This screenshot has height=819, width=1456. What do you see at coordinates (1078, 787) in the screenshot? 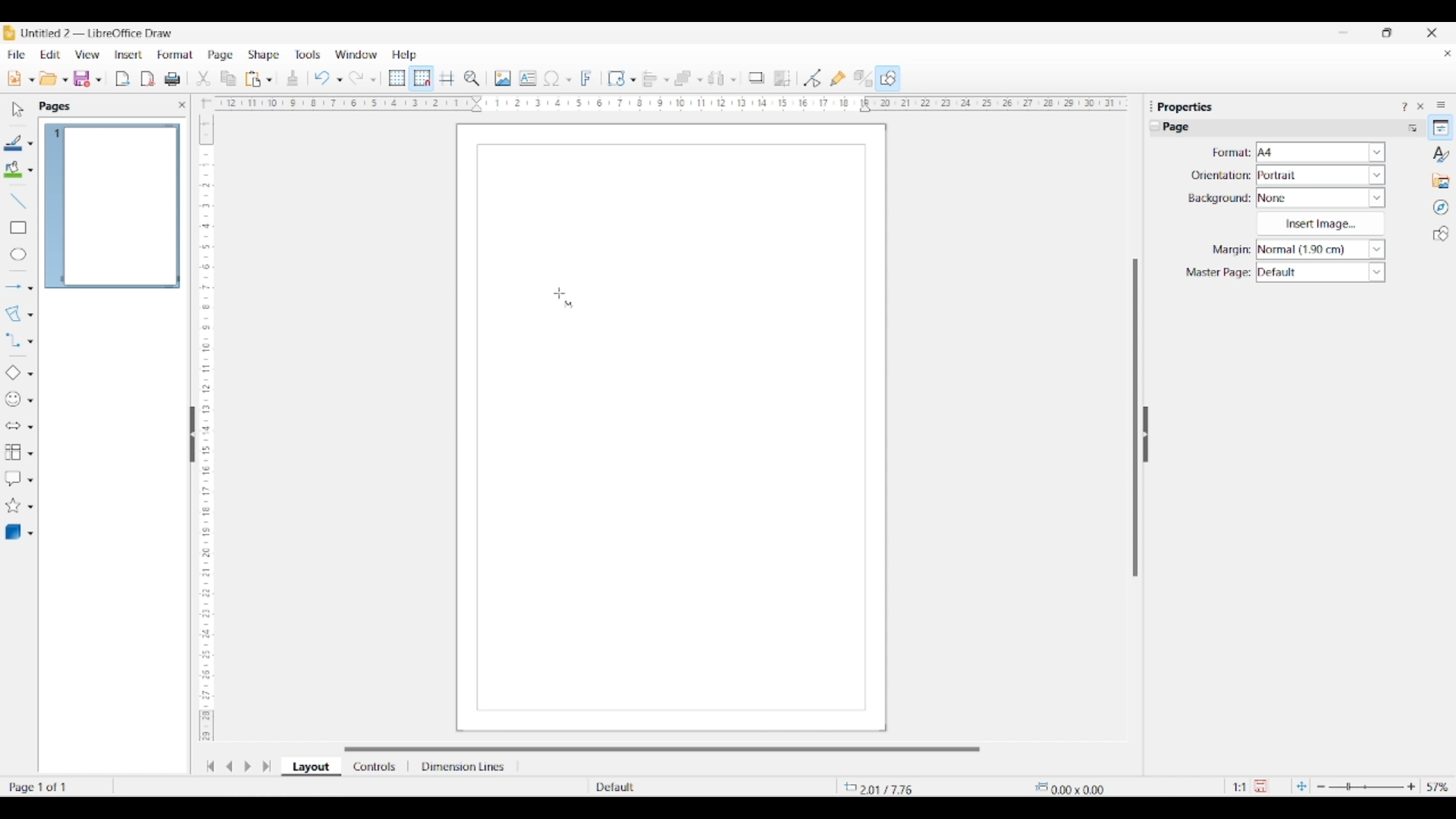
I see `Dimensions of selected shape` at bounding box center [1078, 787].